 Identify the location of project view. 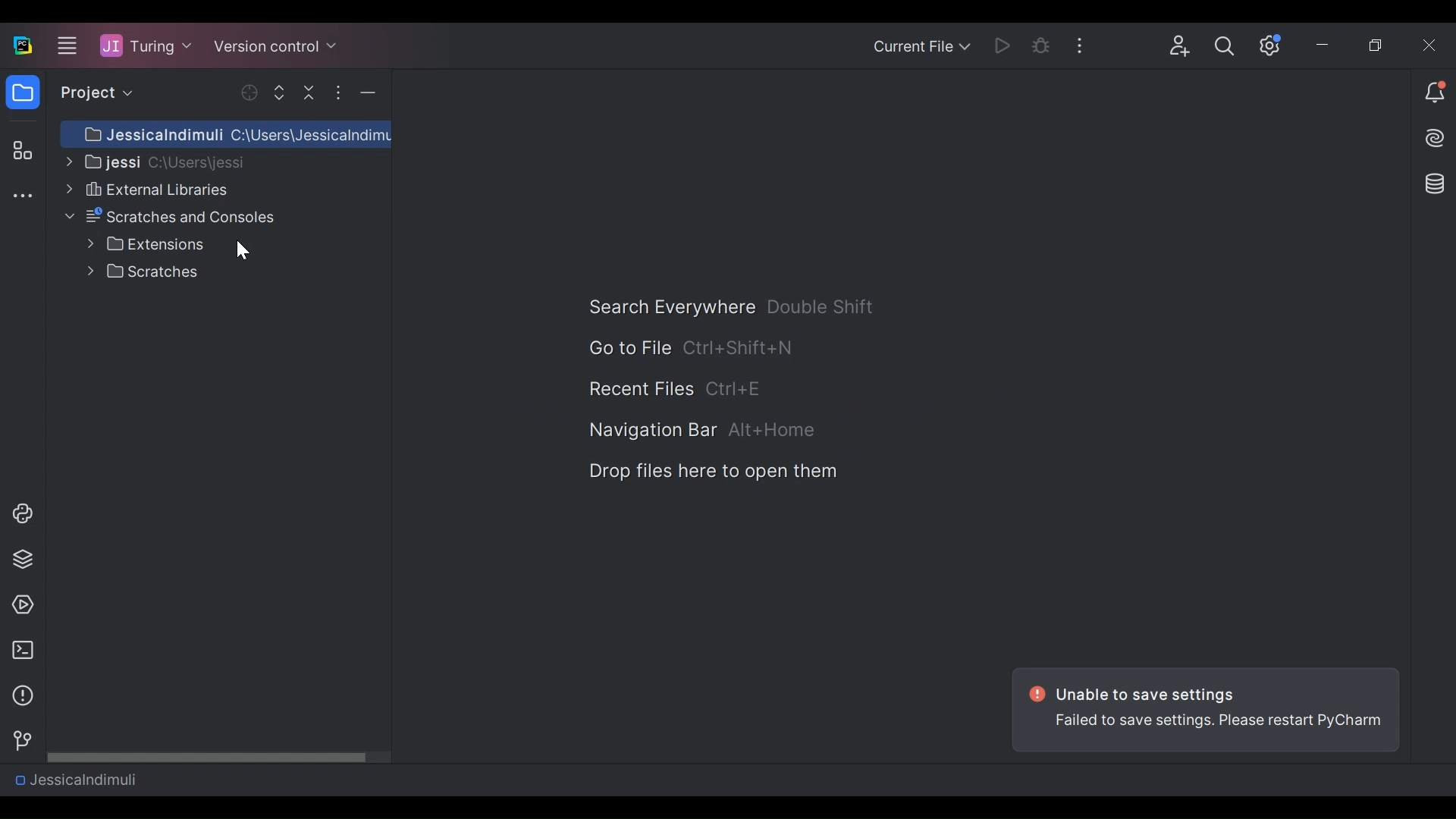
(93, 93).